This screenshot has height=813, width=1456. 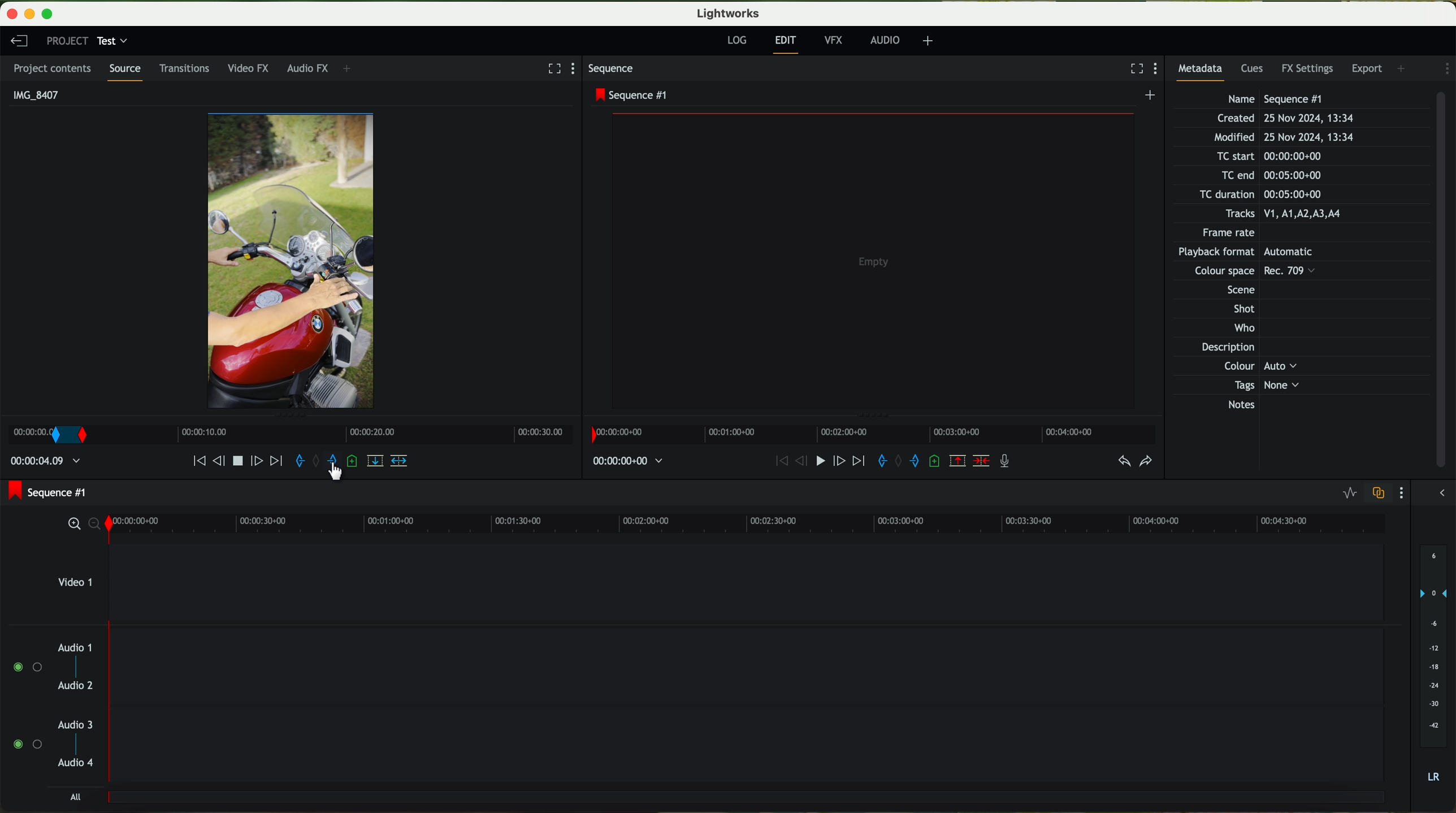 What do you see at coordinates (241, 461) in the screenshot?
I see ` play` at bounding box center [241, 461].